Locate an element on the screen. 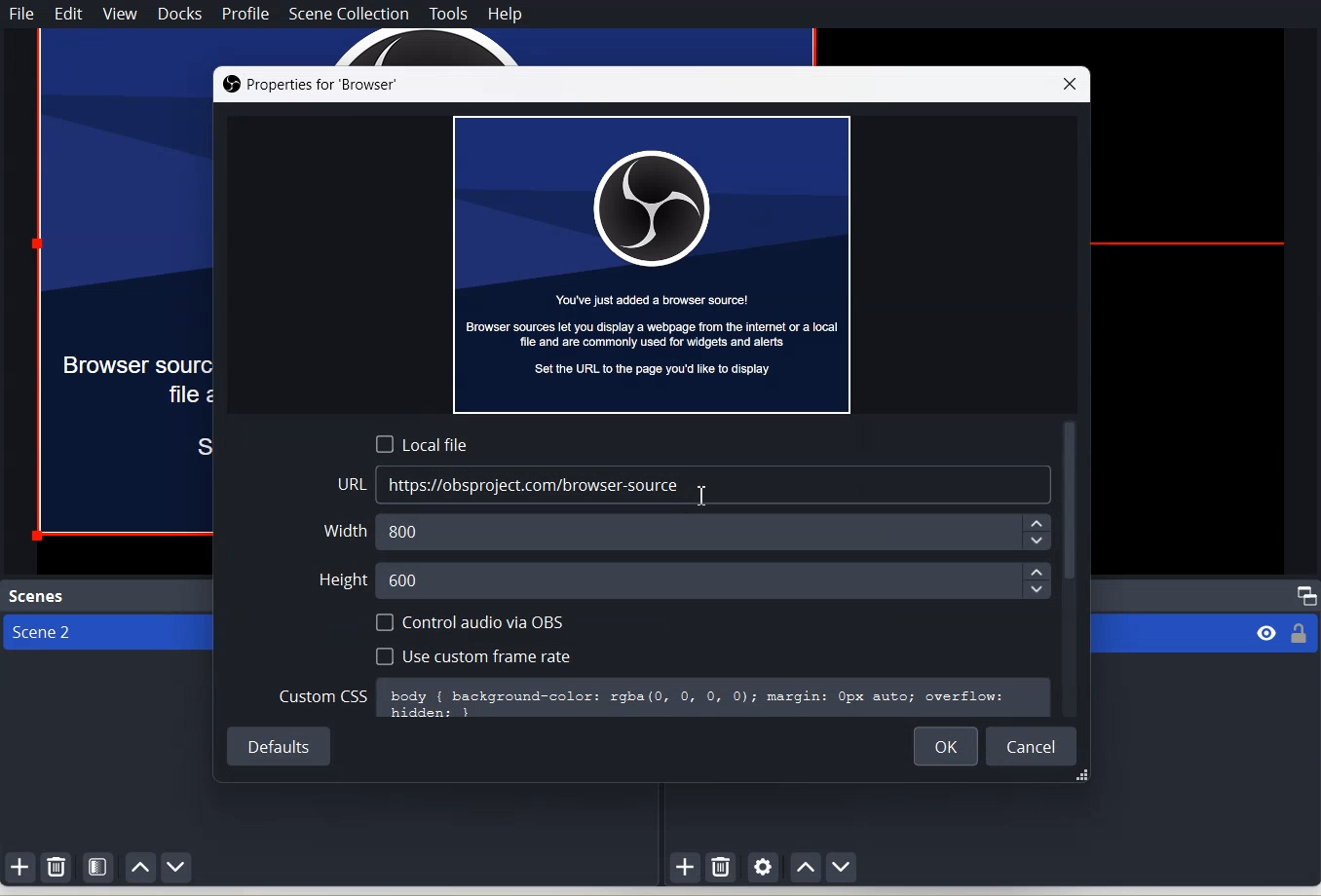 The width and height of the screenshot is (1321, 896). Open Source Properties is located at coordinates (763, 868).